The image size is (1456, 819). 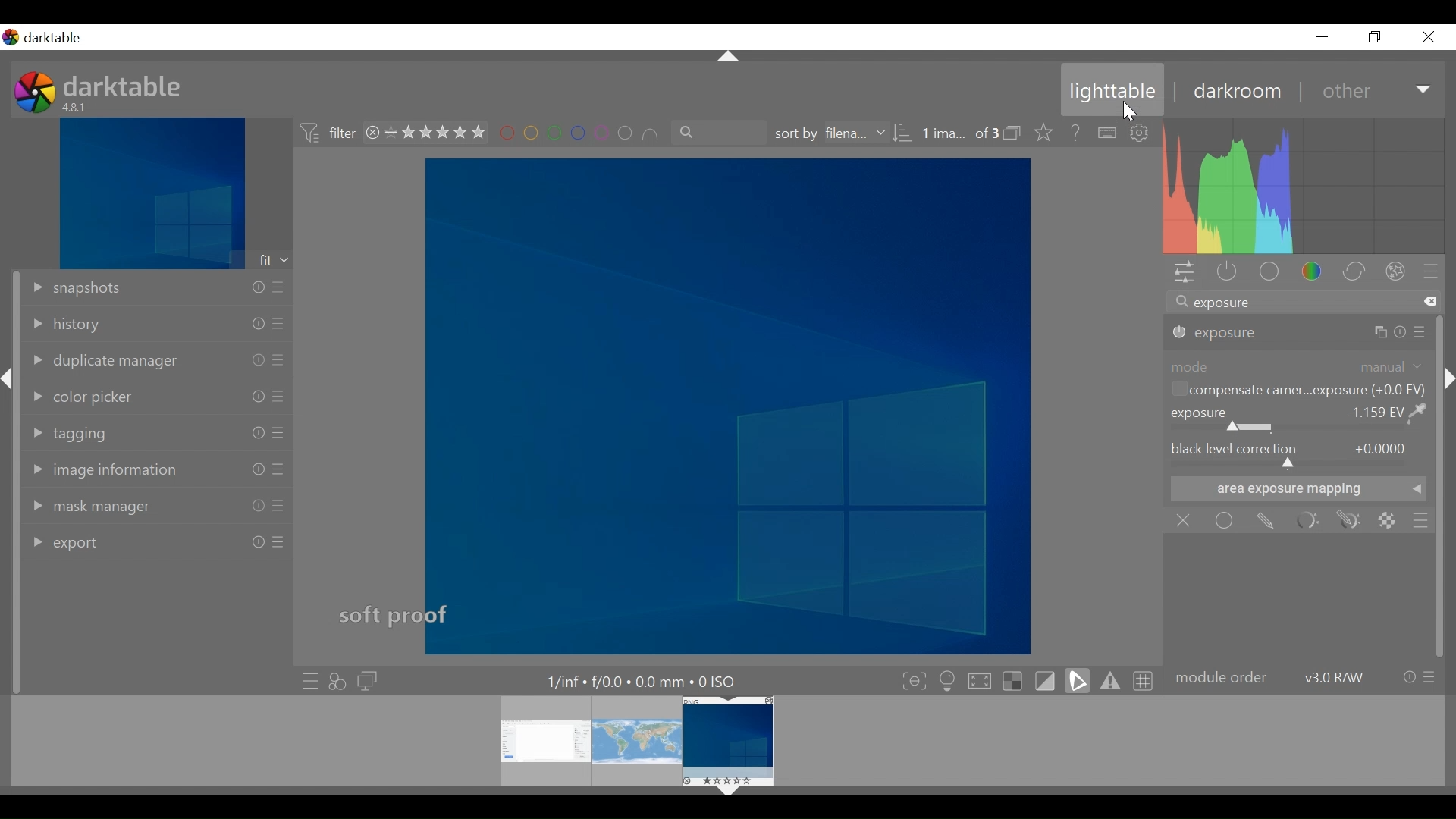 What do you see at coordinates (577, 133) in the screenshot?
I see `filter by color label` at bounding box center [577, 133].